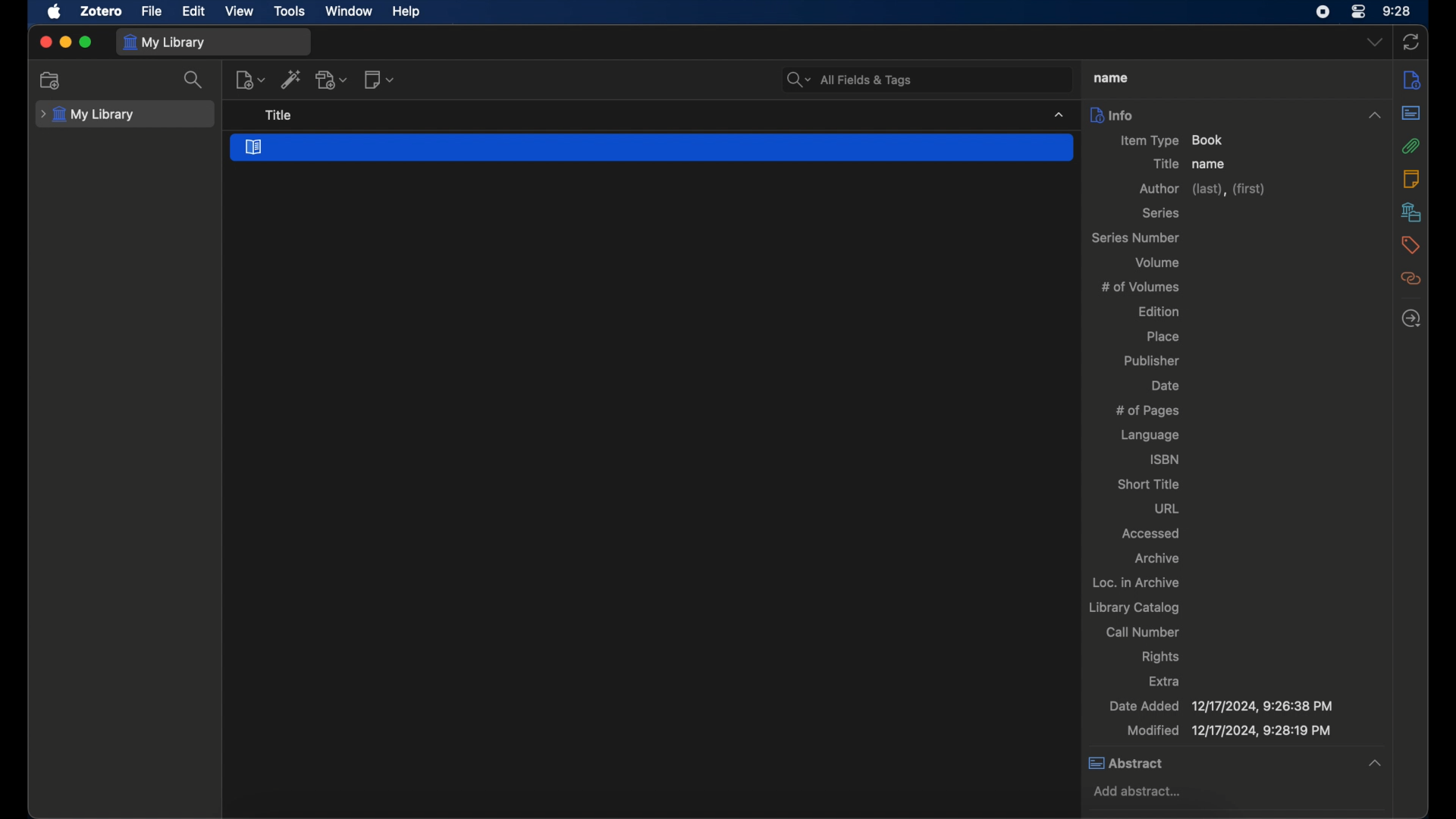  Describe the element at coordinates (1136, 238) in the screenshot. I see `series number` at that location.